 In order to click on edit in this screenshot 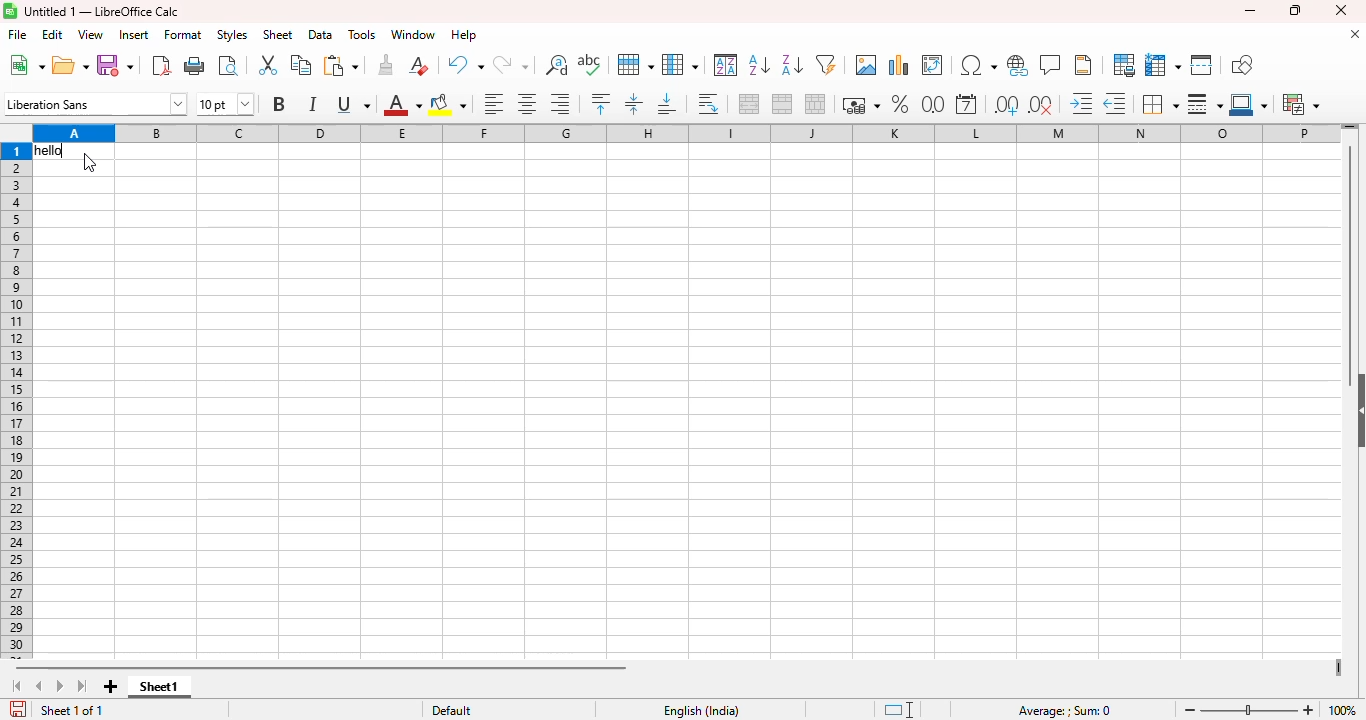, I will do `click(52, 35)`.